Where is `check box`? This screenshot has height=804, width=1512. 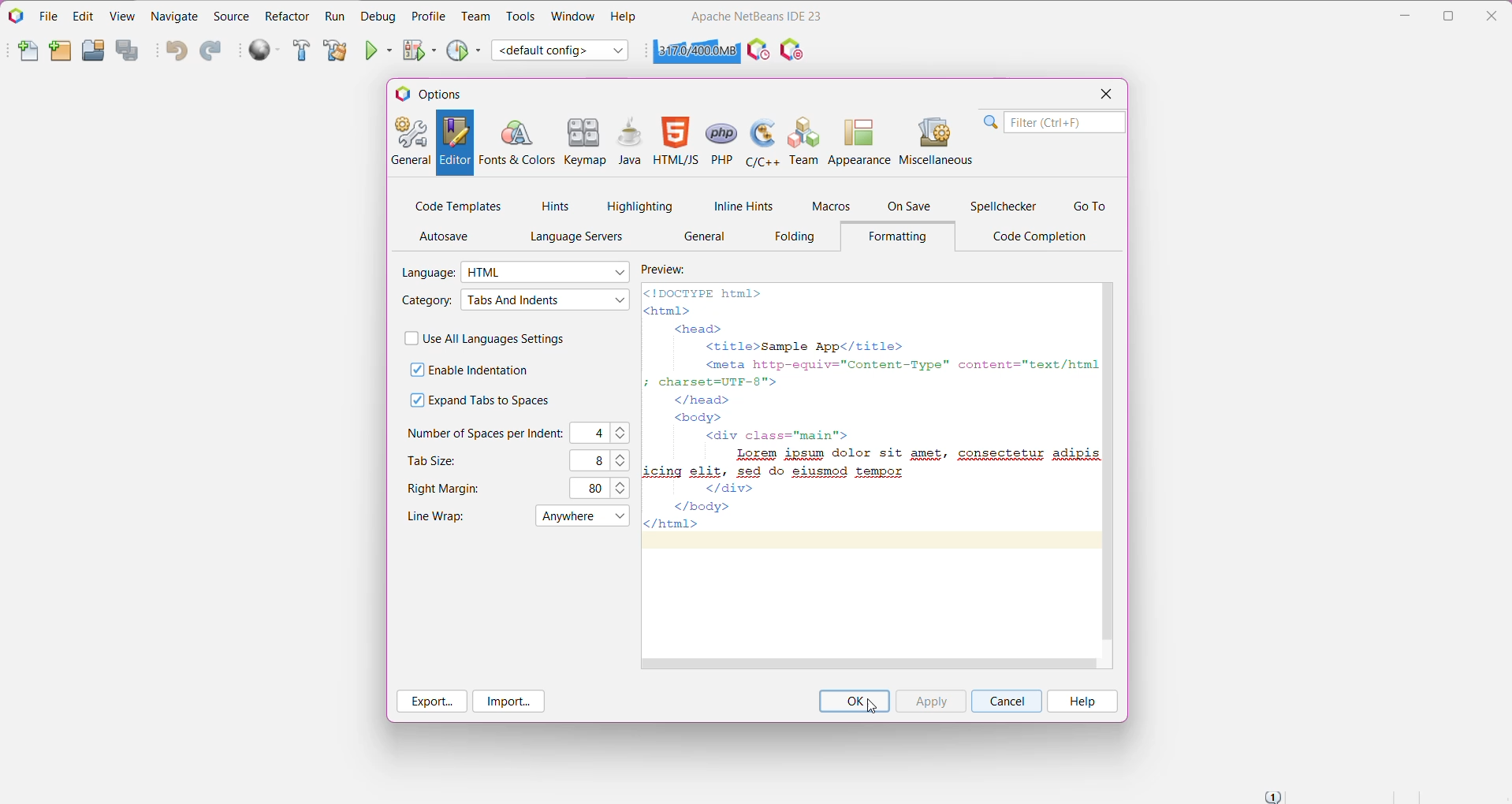 check box is located at coordinates (409, 400).